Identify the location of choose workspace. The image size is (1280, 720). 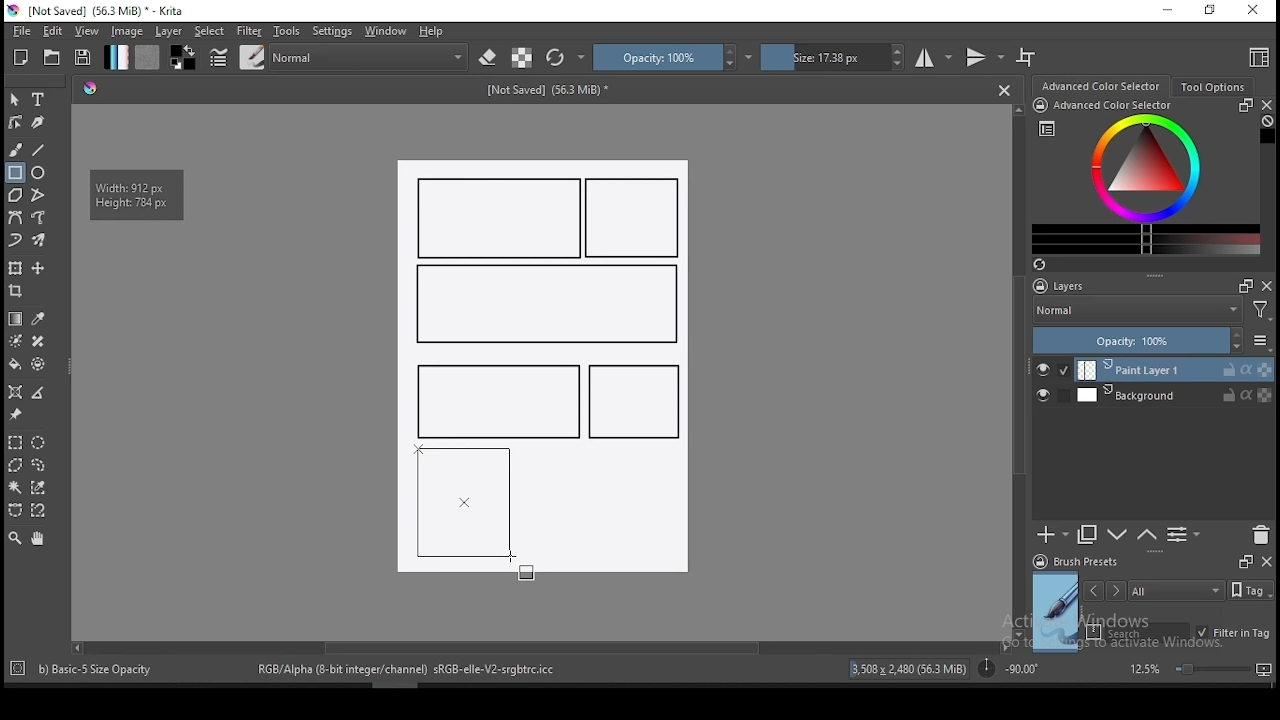
(1257, 57).